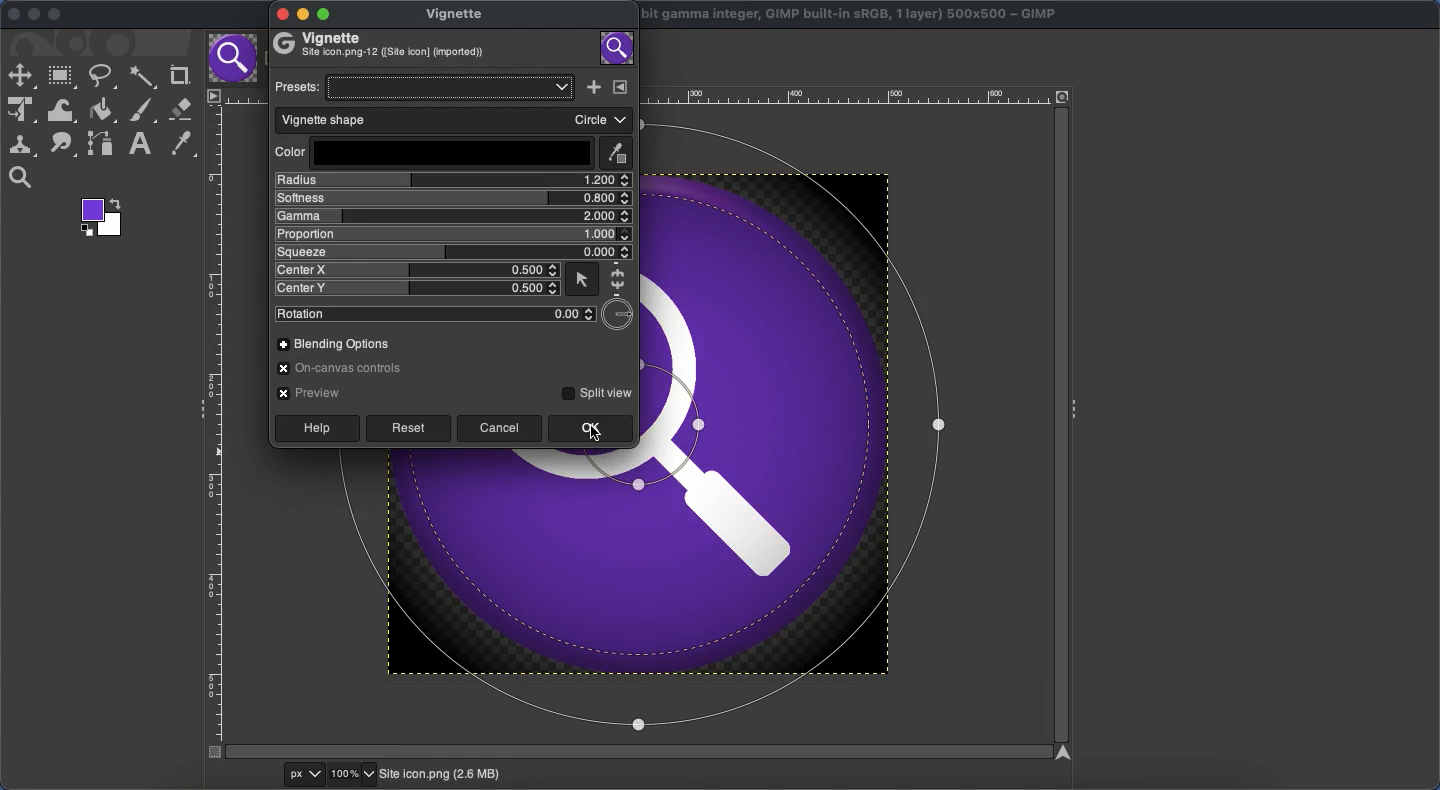  Describe the element at coordinates (142, 79) in the screenshot. I see `Fuzzy selector` at that location.